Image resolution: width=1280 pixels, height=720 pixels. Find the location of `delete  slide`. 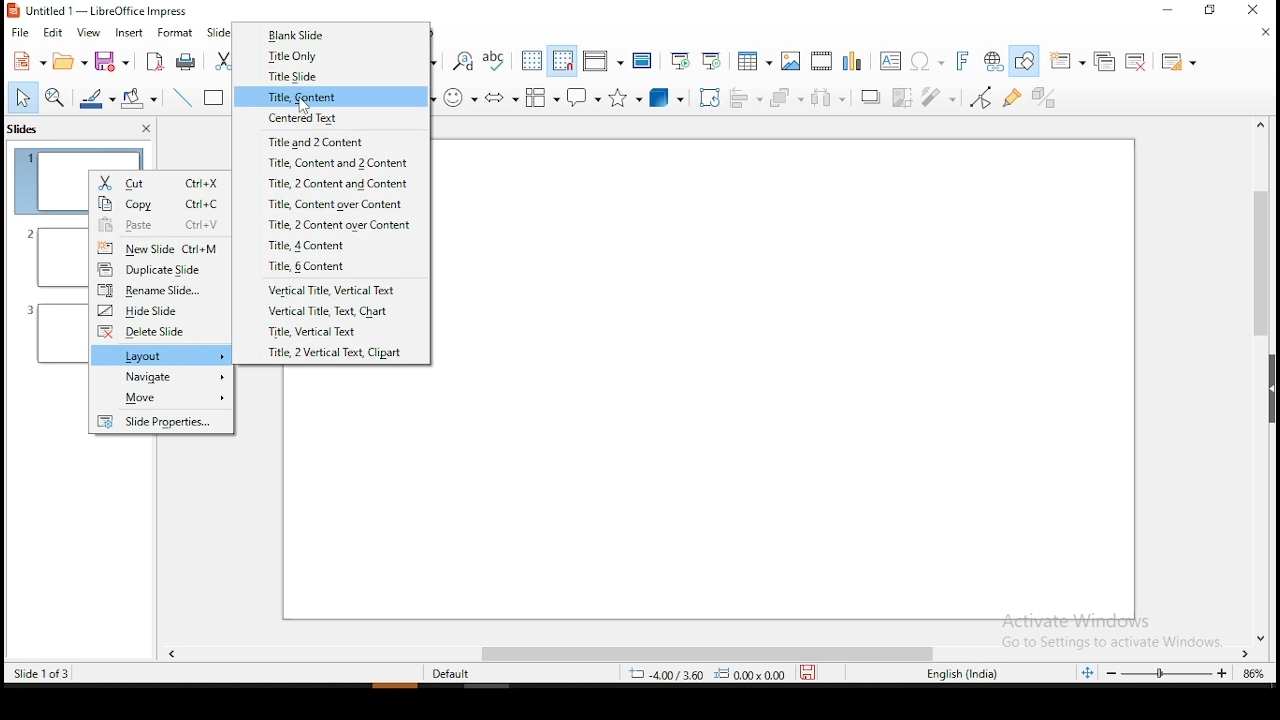

delete  slide is located at coordinates (1140, 62).